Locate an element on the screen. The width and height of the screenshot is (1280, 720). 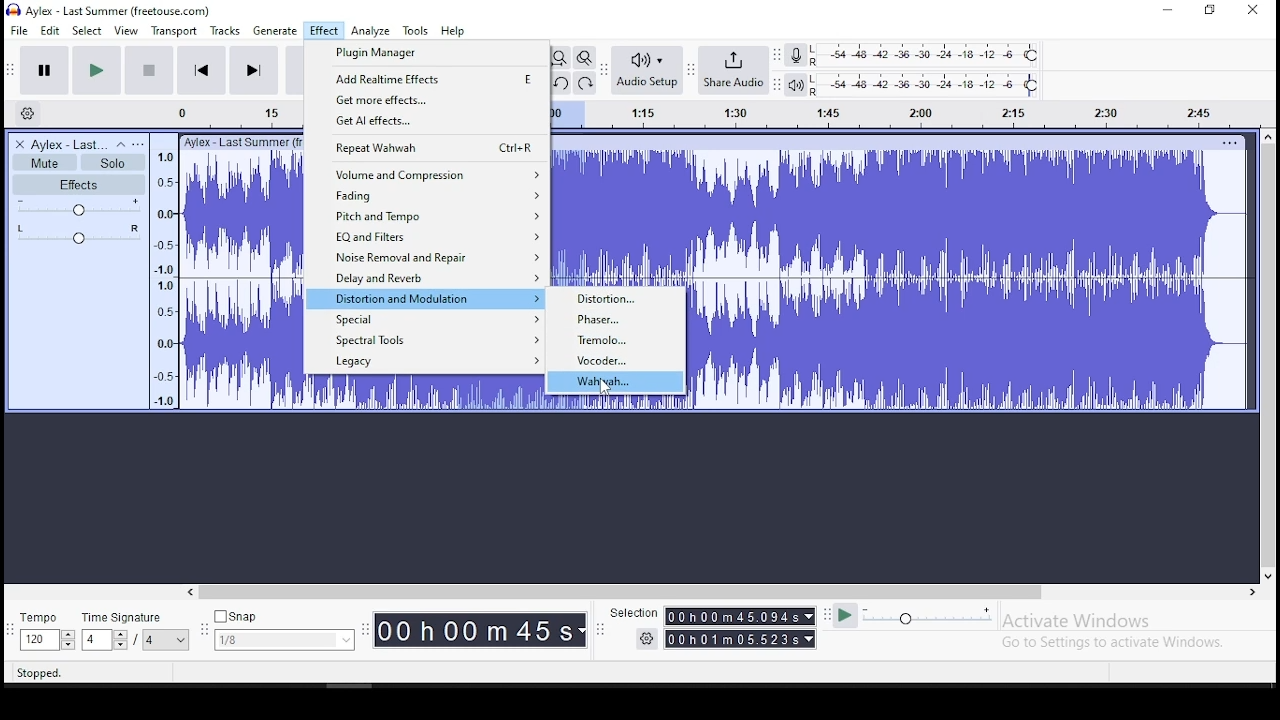
stopped is located at coordinates (40, 673).